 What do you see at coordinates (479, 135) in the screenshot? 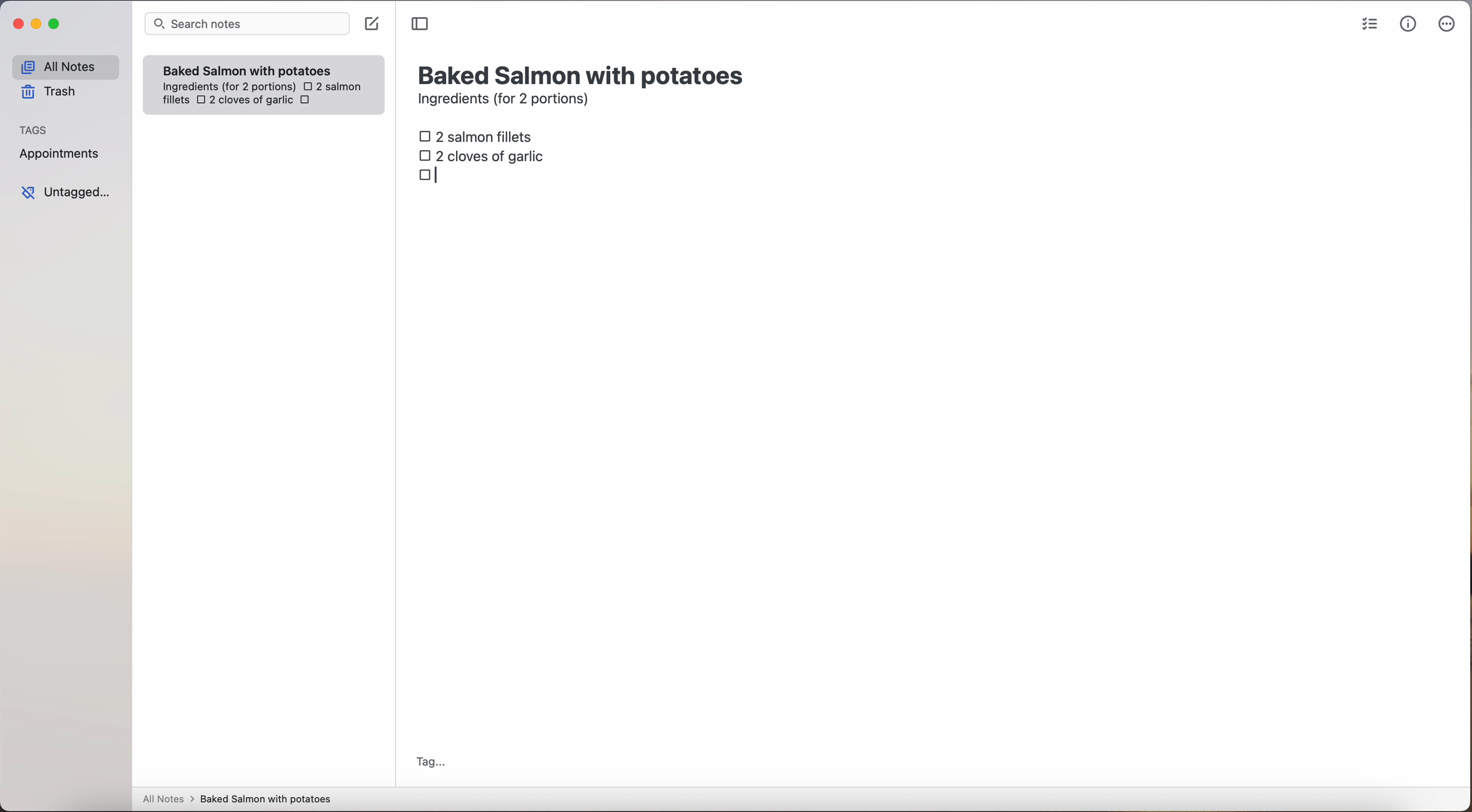
I see `2 salmon fillets` at bounding box center [479, 135].